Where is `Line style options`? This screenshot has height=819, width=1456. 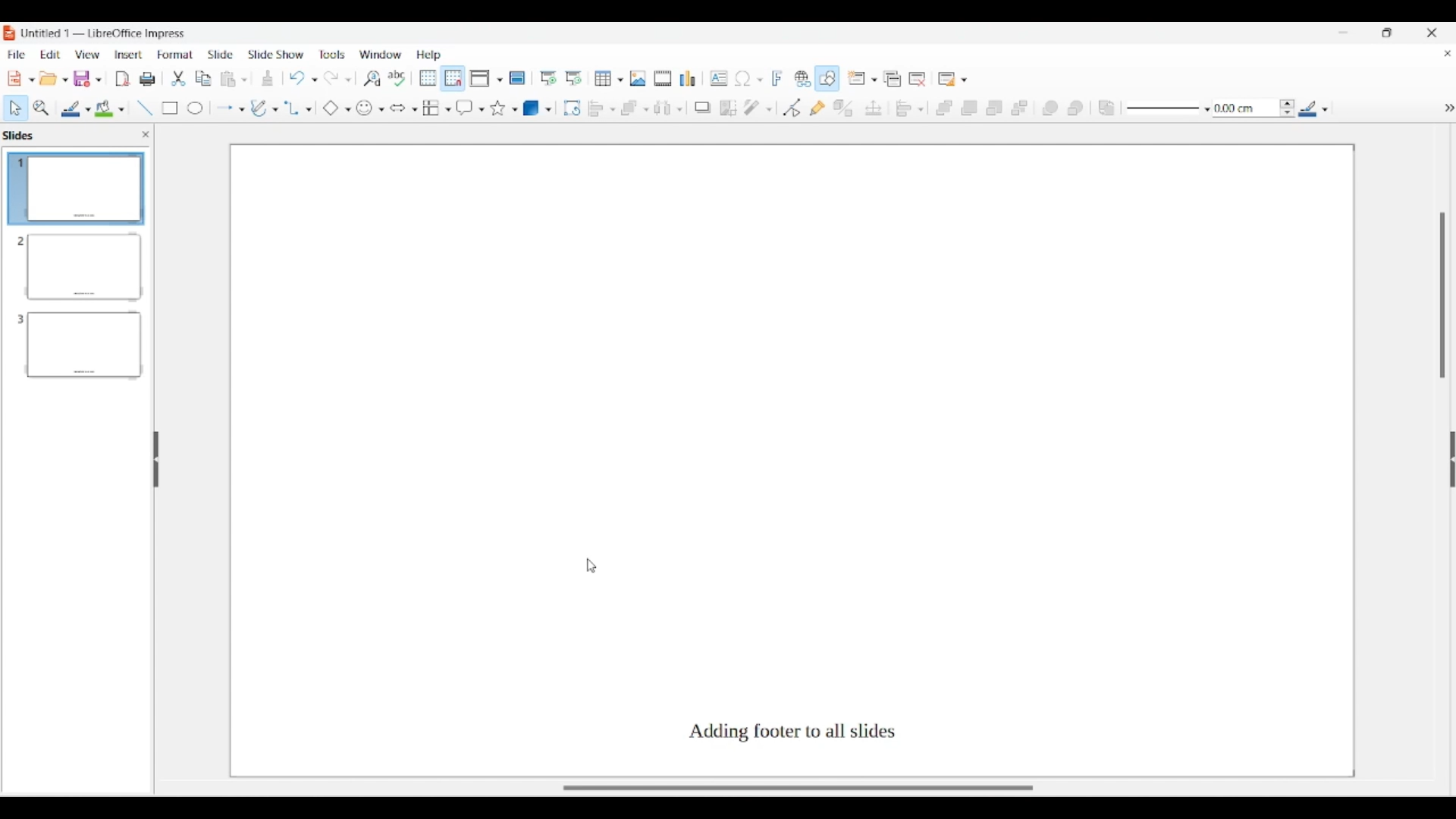
Line style options is located at coordinates (1169, 109).